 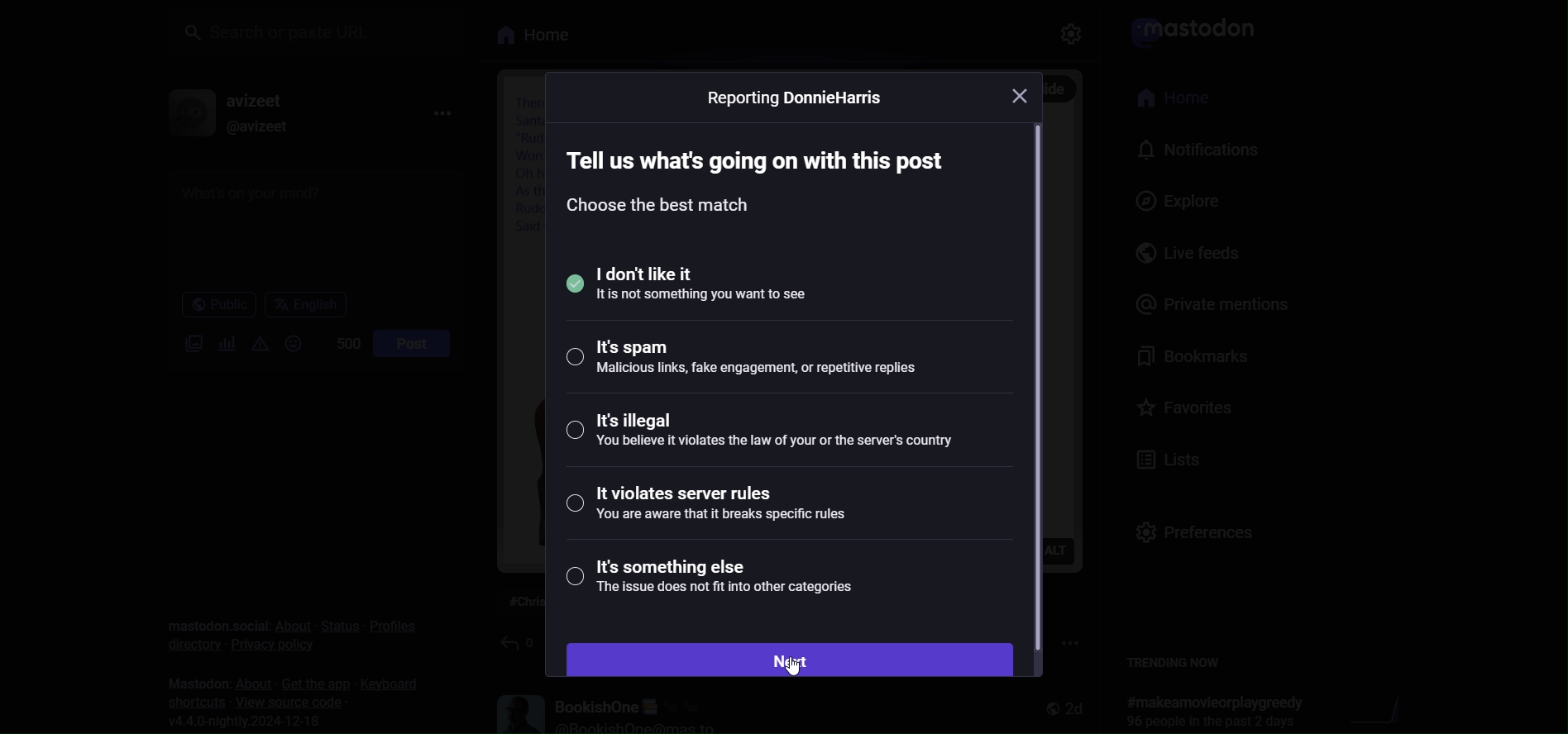 What do you see at coordinates (222, 342) in the screenshot?
I see `poll` at bounding box center [222, 342].